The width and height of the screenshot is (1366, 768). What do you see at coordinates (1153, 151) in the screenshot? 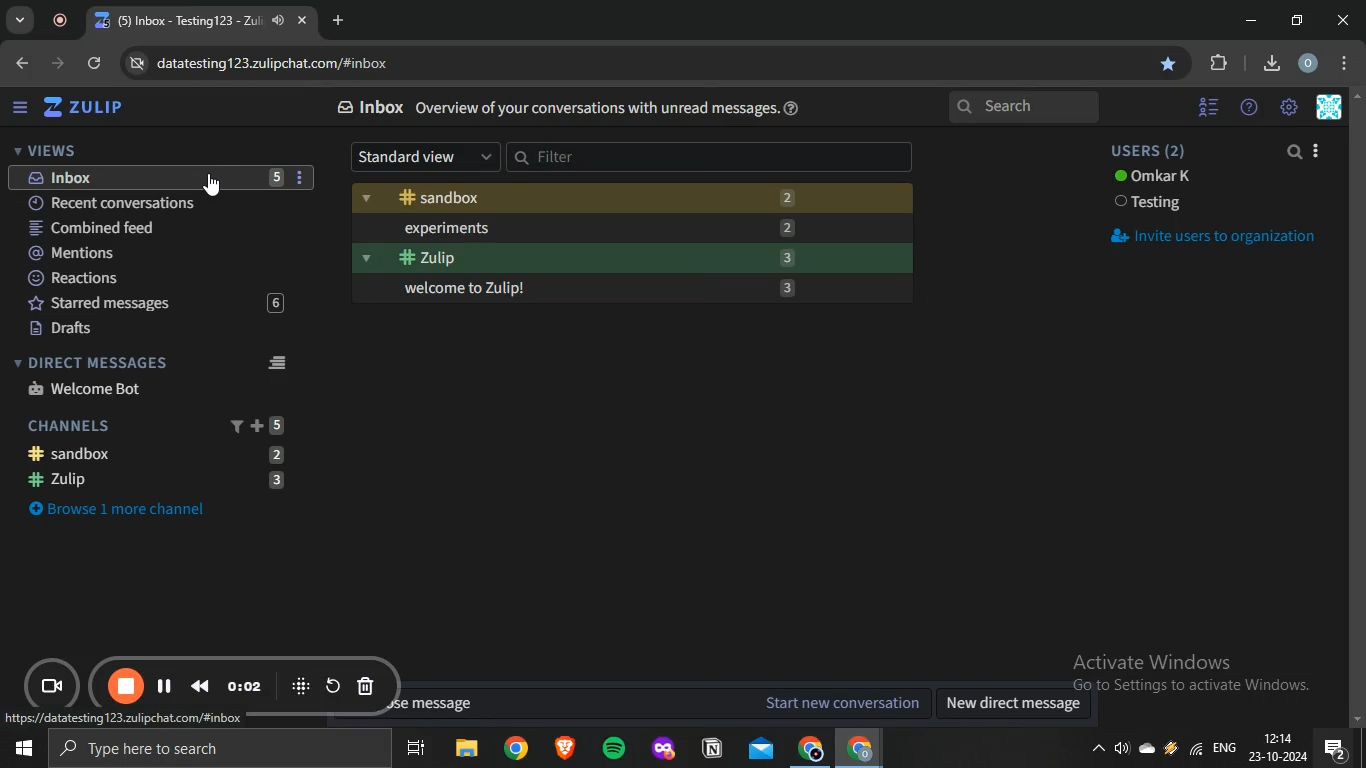
I see `users` at bounding box center [1153, 151].